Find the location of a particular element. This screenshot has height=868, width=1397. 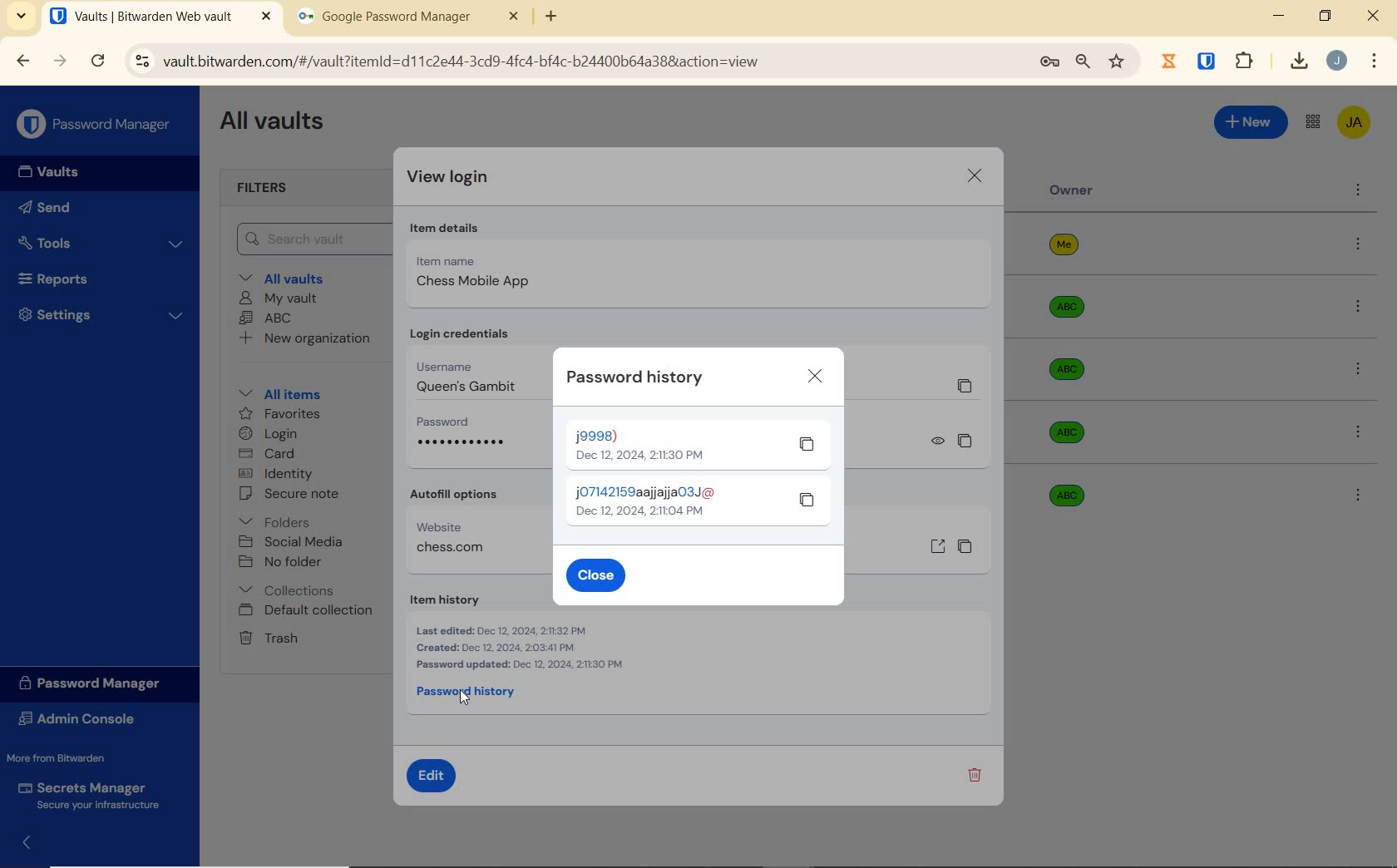

address bar is located at coordinates (570, 64).